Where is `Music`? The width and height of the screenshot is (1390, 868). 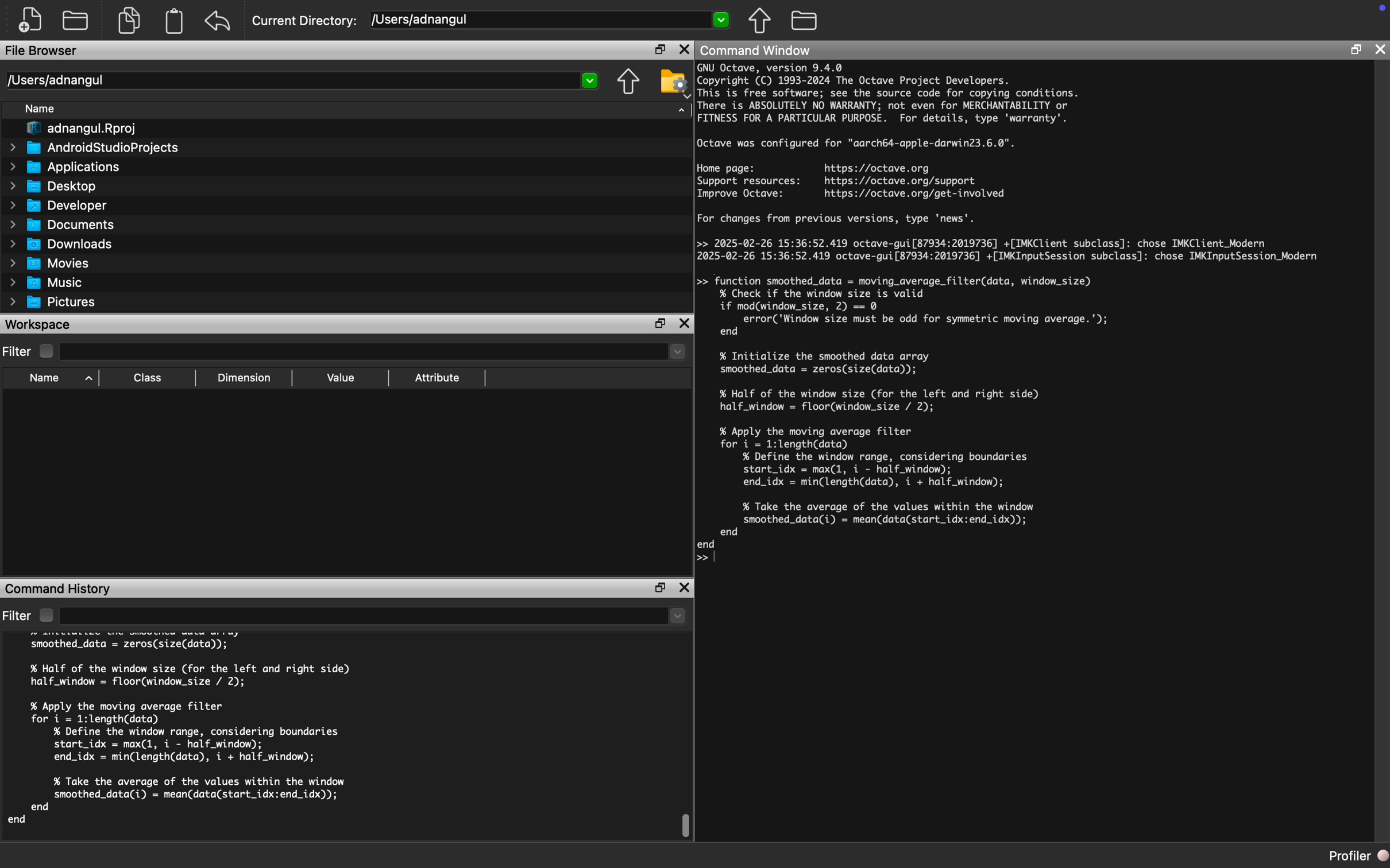
Music is located at coordinates (46, 282).